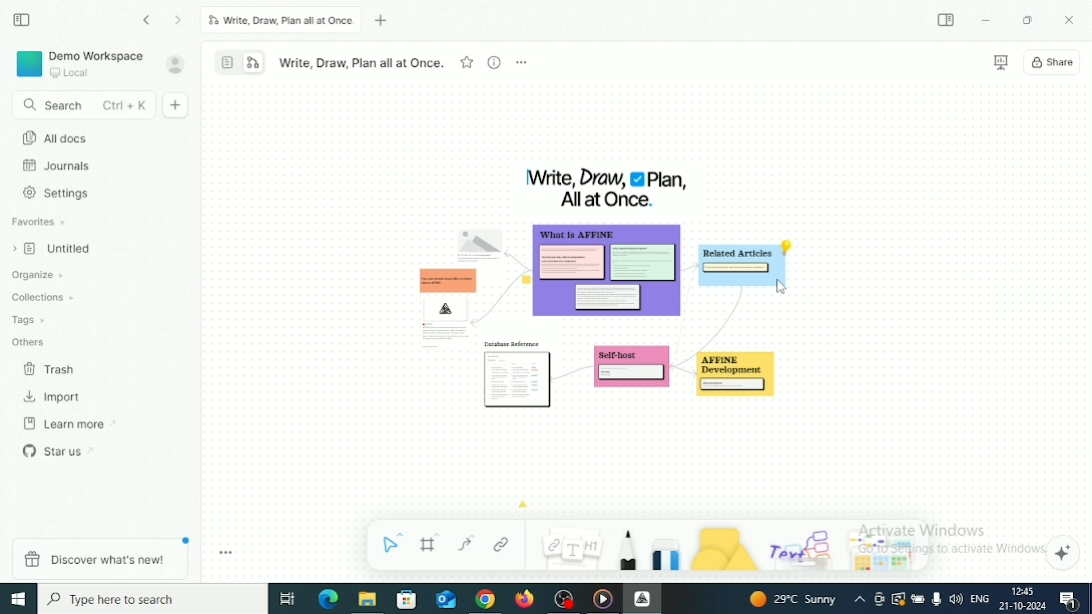 This screenshot has width=1092, height=614. I want to click on Expand sidebar, so click(947, 20).